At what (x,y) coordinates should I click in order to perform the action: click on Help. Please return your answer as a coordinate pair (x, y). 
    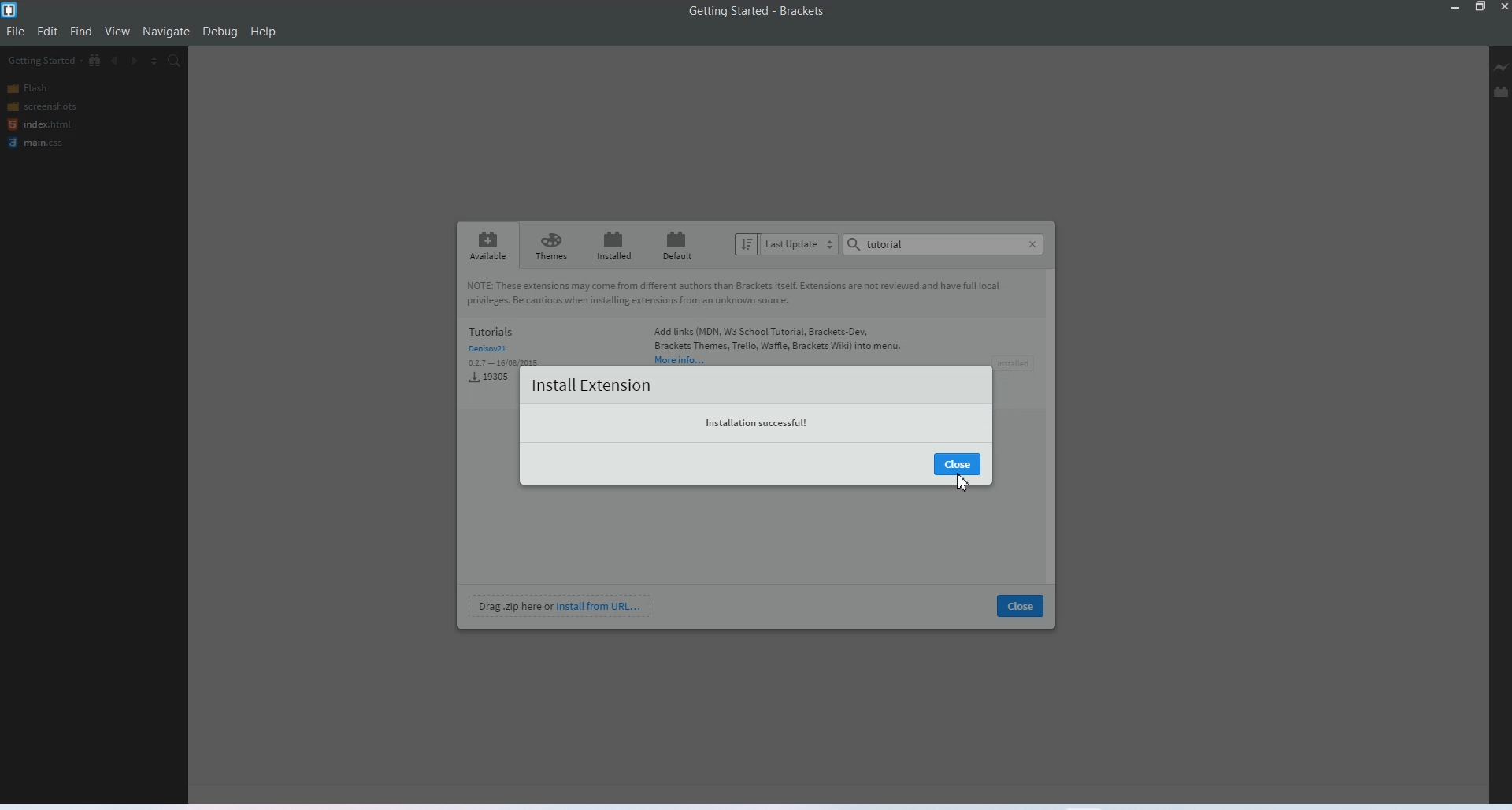
    Looking at the image, I should click on (264, 32).